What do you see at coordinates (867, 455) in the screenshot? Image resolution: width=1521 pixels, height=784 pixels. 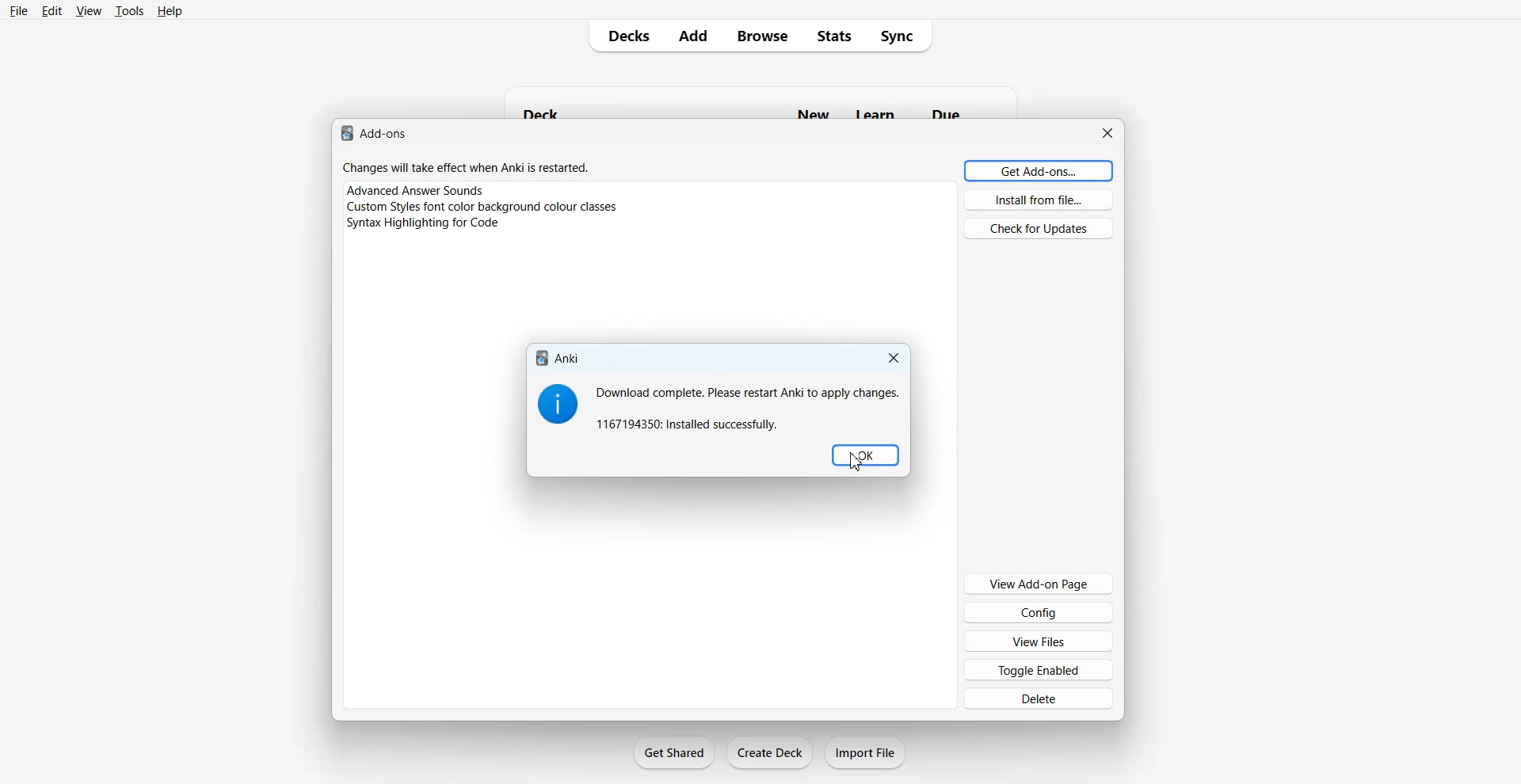 I see `OK` at bounding box center [867, 455].